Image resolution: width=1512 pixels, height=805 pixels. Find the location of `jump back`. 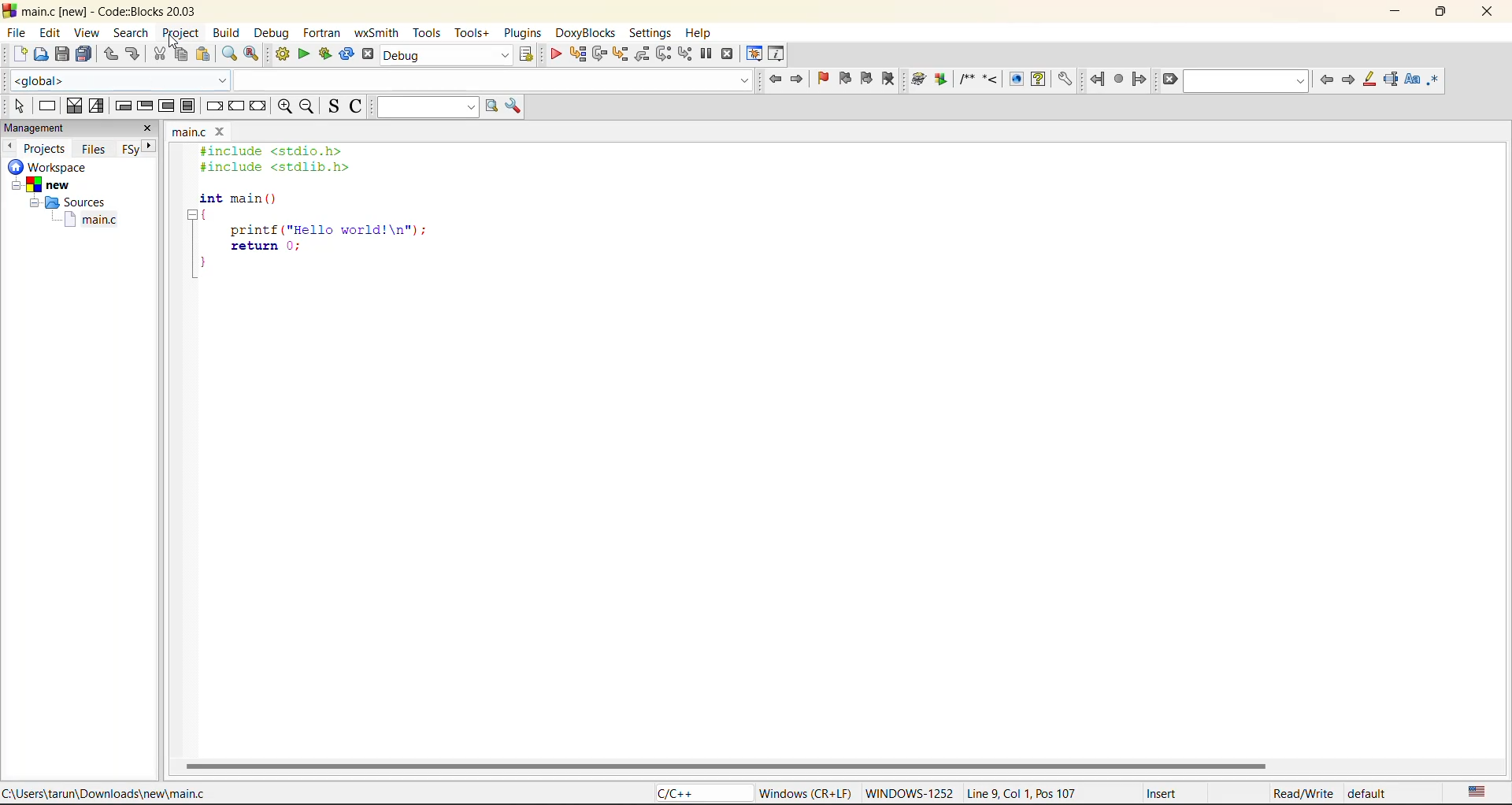

jump back is located at coordinates (1097, 80).